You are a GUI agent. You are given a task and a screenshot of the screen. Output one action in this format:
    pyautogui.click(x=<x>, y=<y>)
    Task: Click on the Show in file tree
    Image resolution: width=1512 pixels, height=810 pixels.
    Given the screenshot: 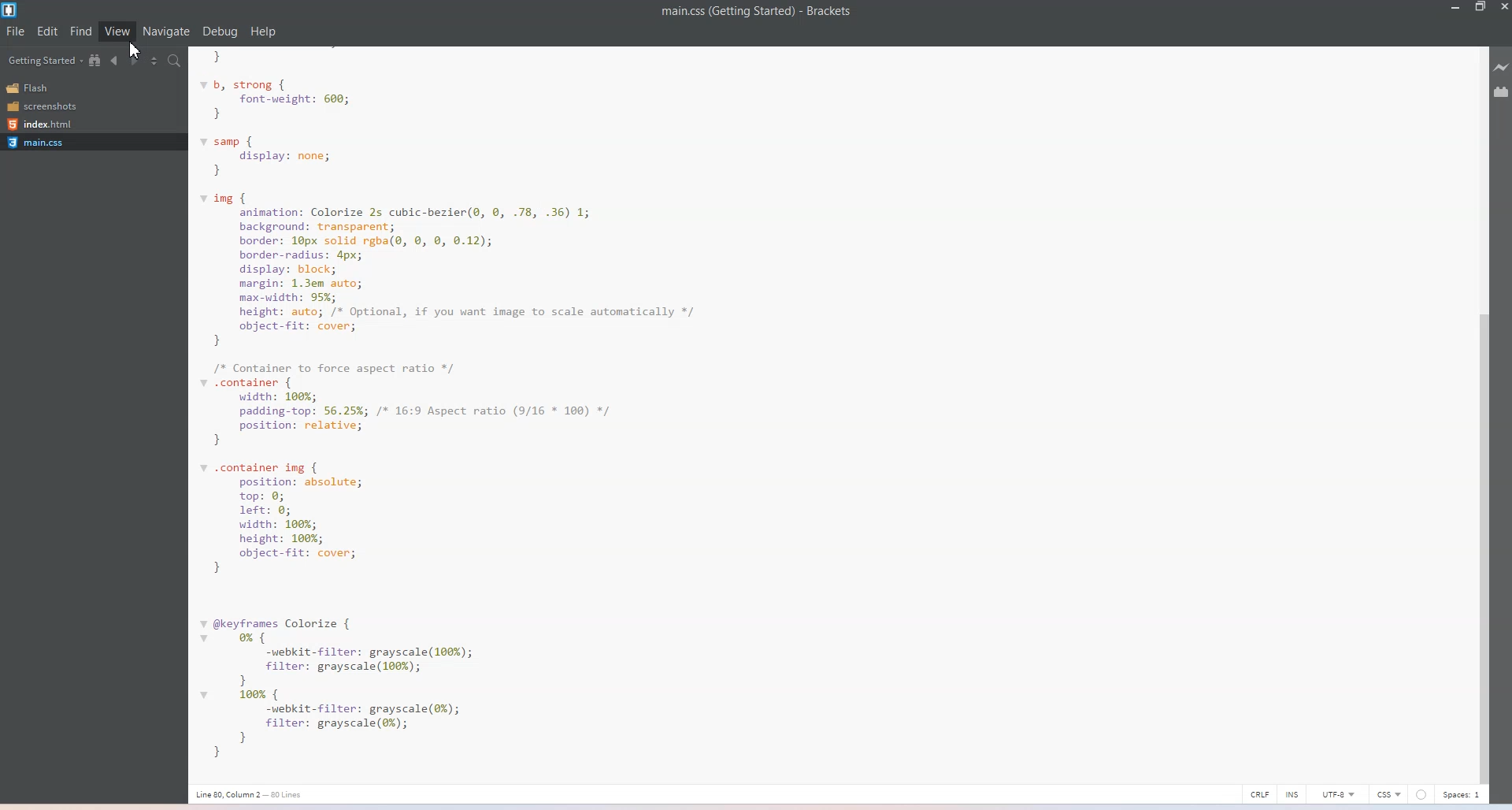 What is the action you would take?
    pyautogui.click(x=95, y=60)
    